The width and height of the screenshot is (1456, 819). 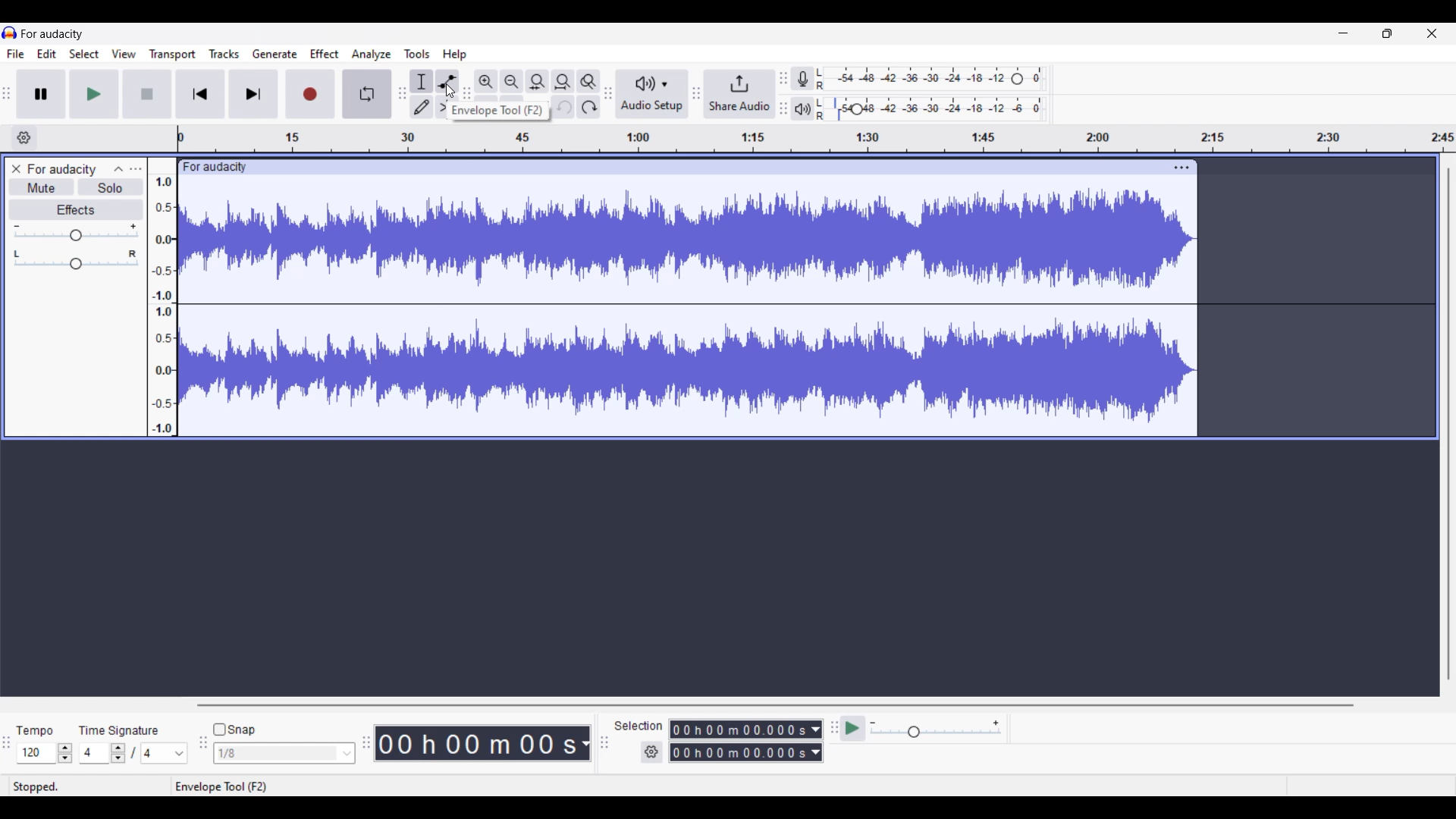 I want to click on Minimize , so click(x=1343, y=33).